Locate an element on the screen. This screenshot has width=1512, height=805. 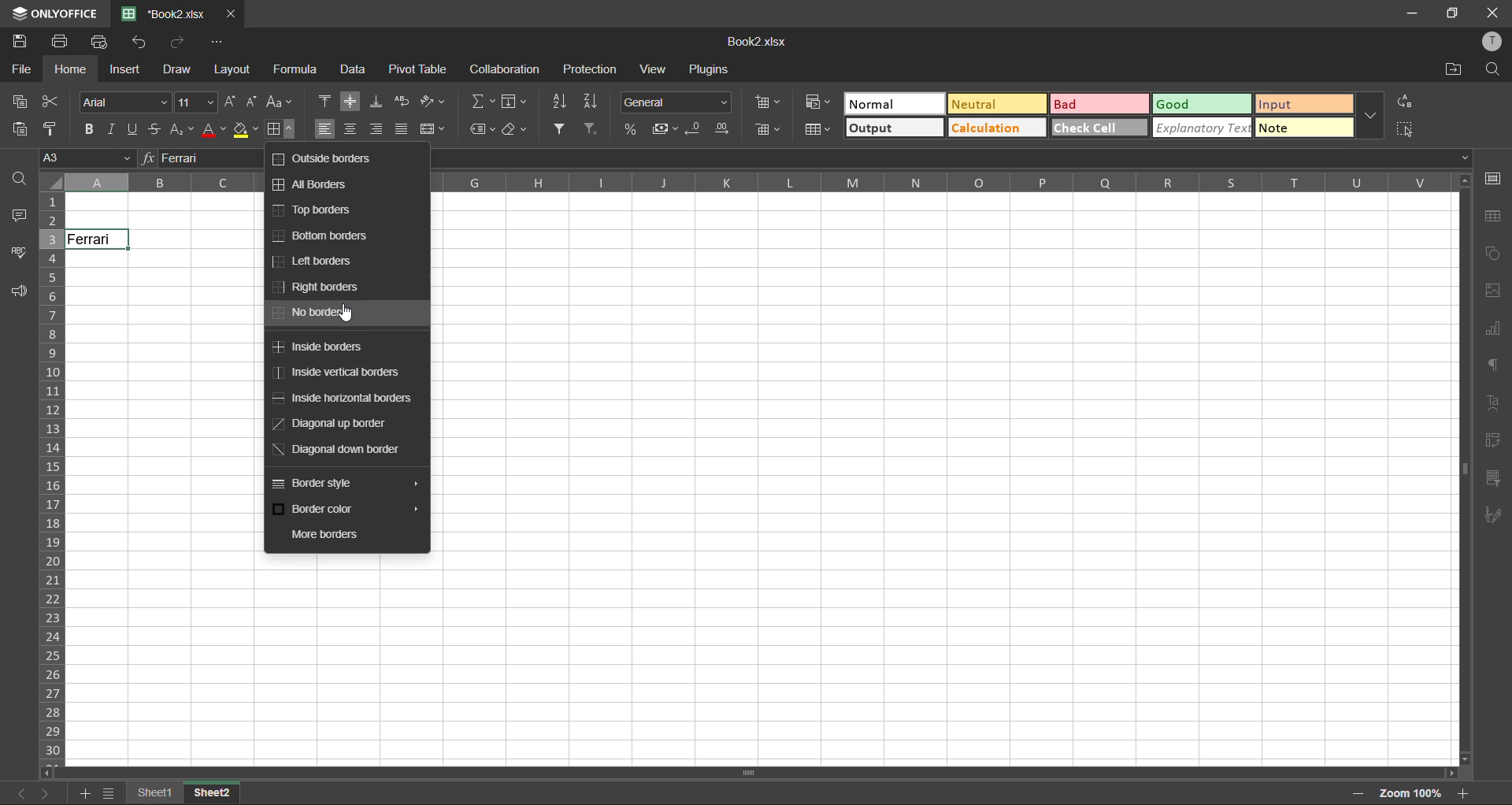
bold is located at coordinates (91, 131).